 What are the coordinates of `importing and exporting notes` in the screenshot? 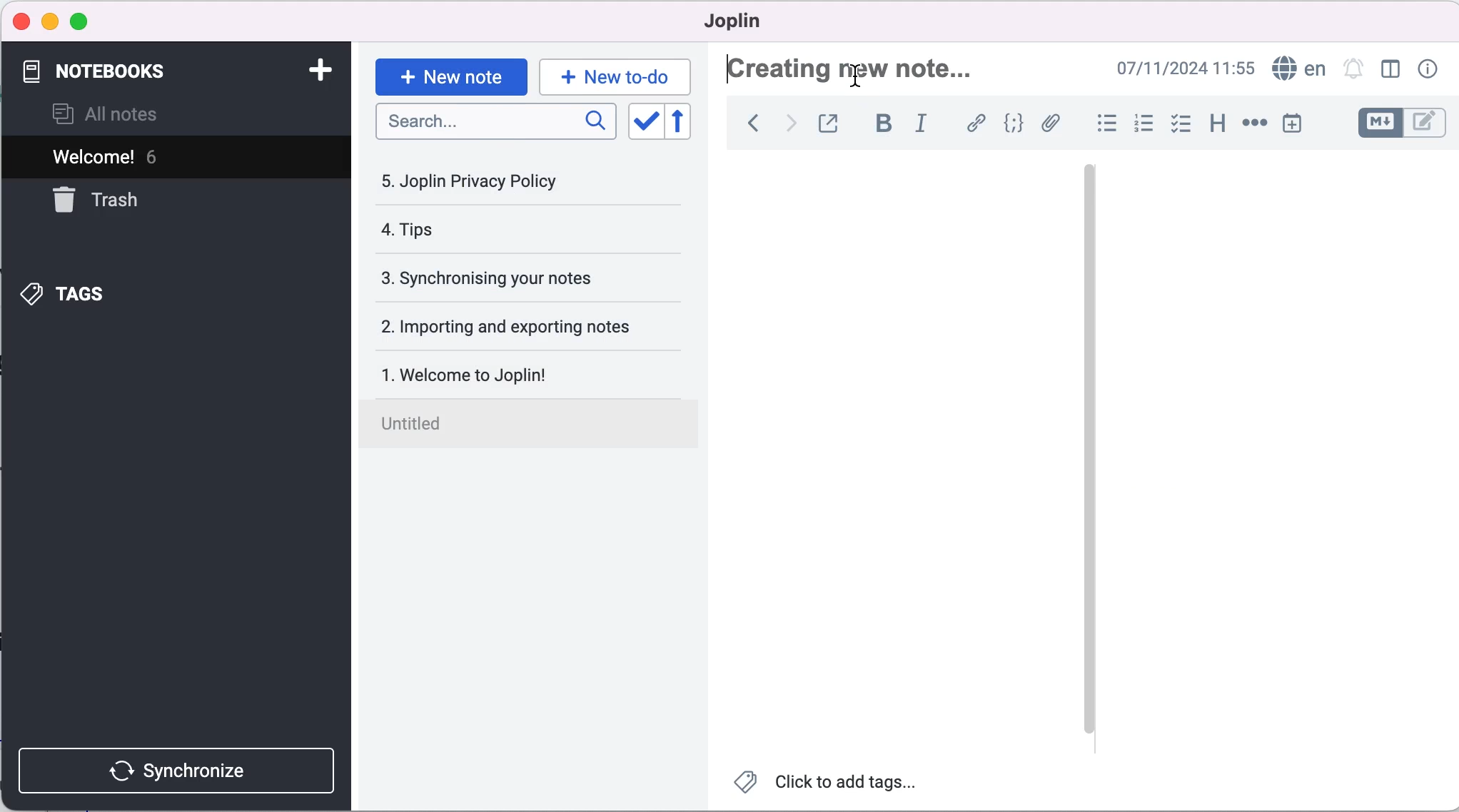 It's located at (515, 325).